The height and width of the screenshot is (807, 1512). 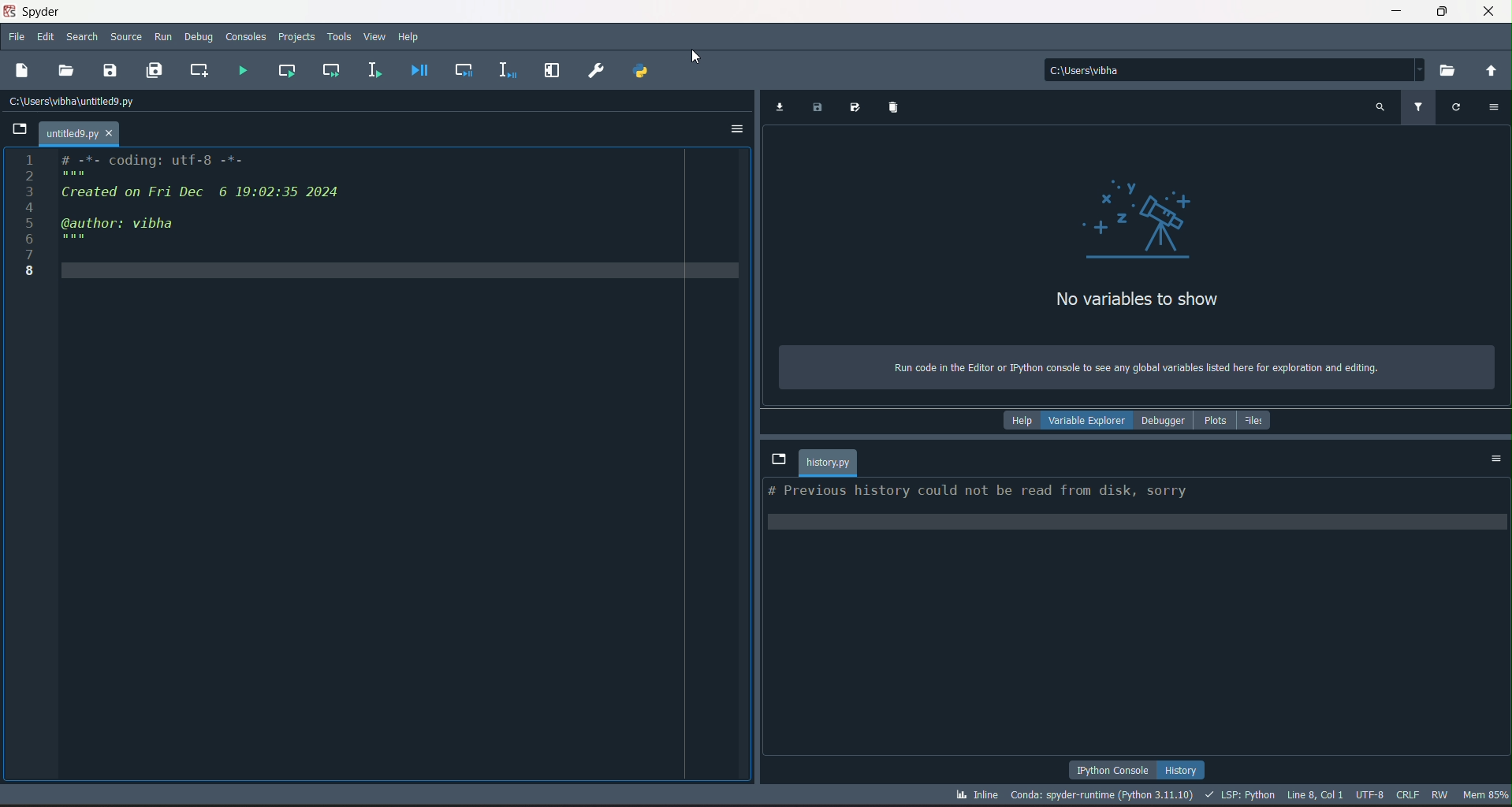 What do you see at coordinates (1394, 9) in the screenshot?
I see `minimize` at bounding box center [1394, 9].